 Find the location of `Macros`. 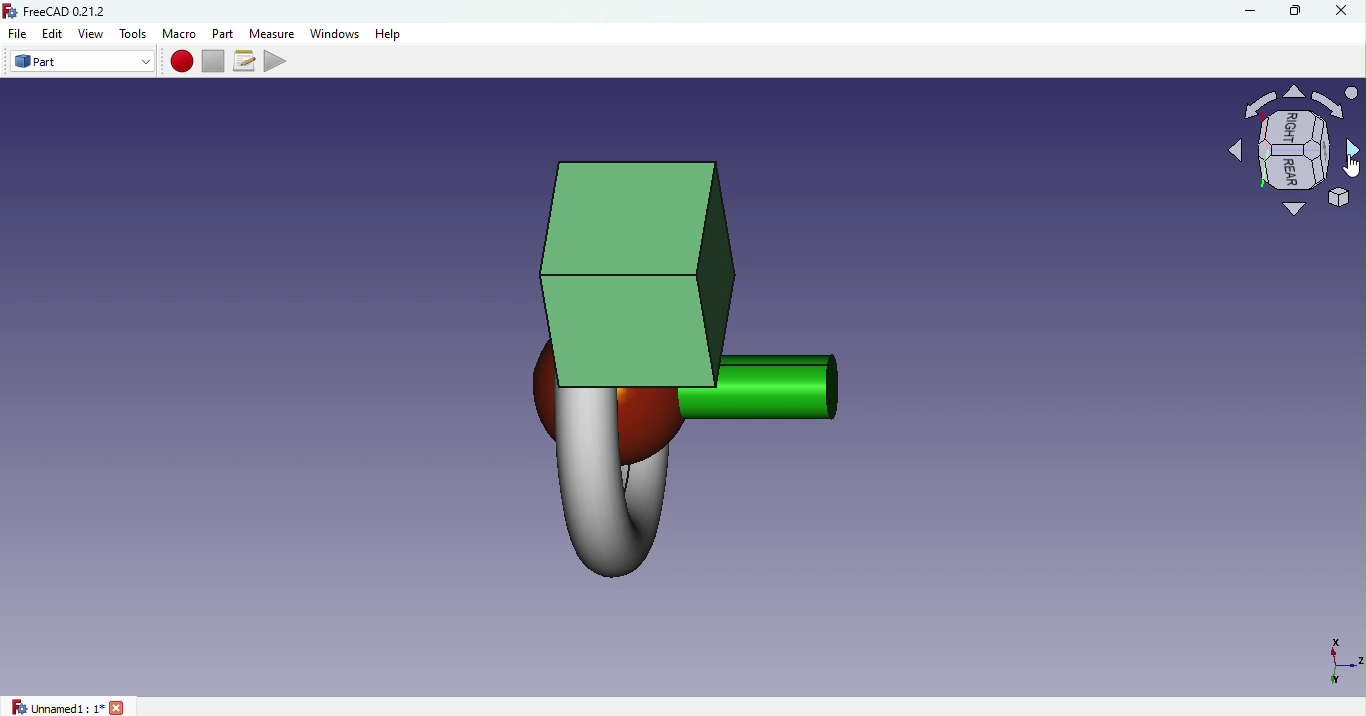

Macros is located at coordinates (243, 60).